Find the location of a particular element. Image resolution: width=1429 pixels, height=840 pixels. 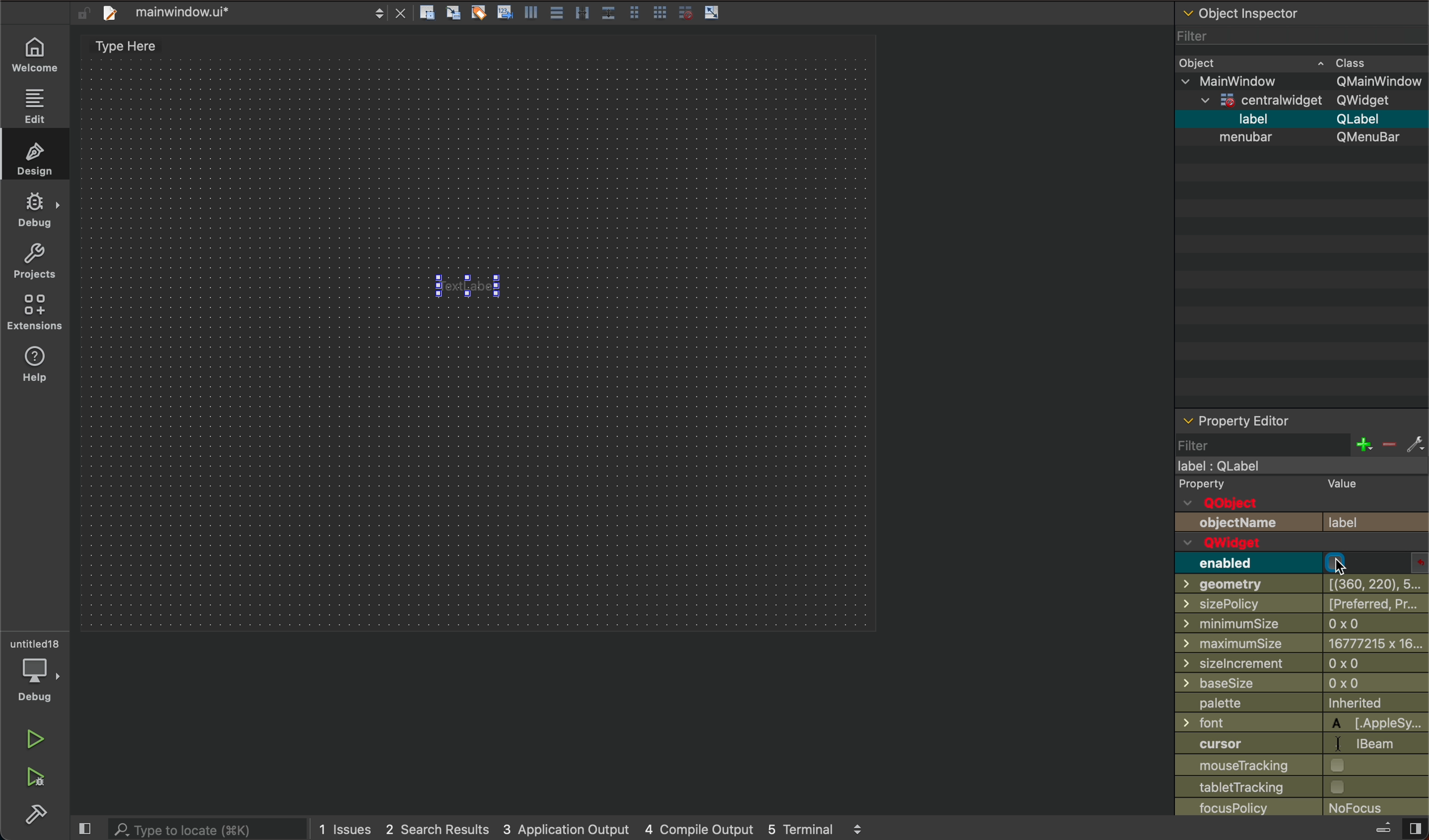

label is located at coordinates (1255, 118).